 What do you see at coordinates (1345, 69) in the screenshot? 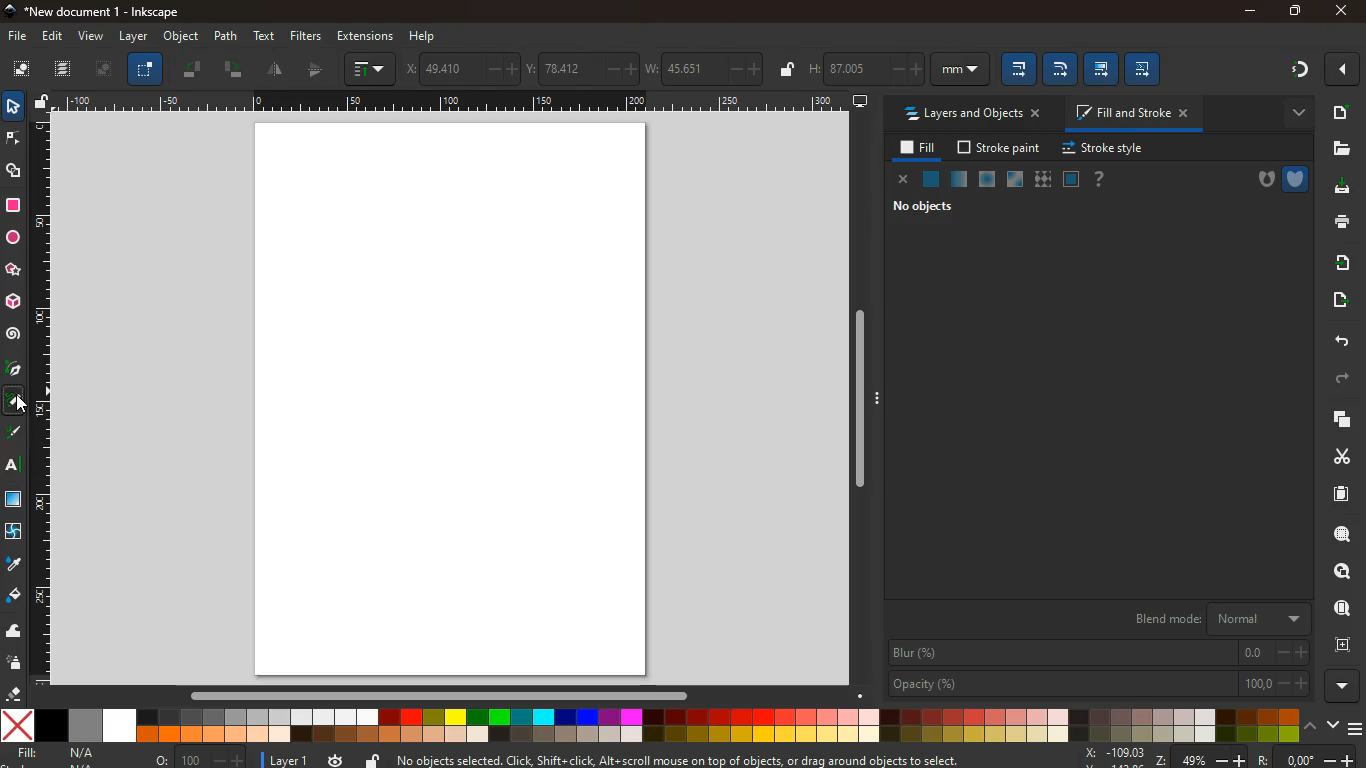
I see `more` at bounding box center [1345, 69].